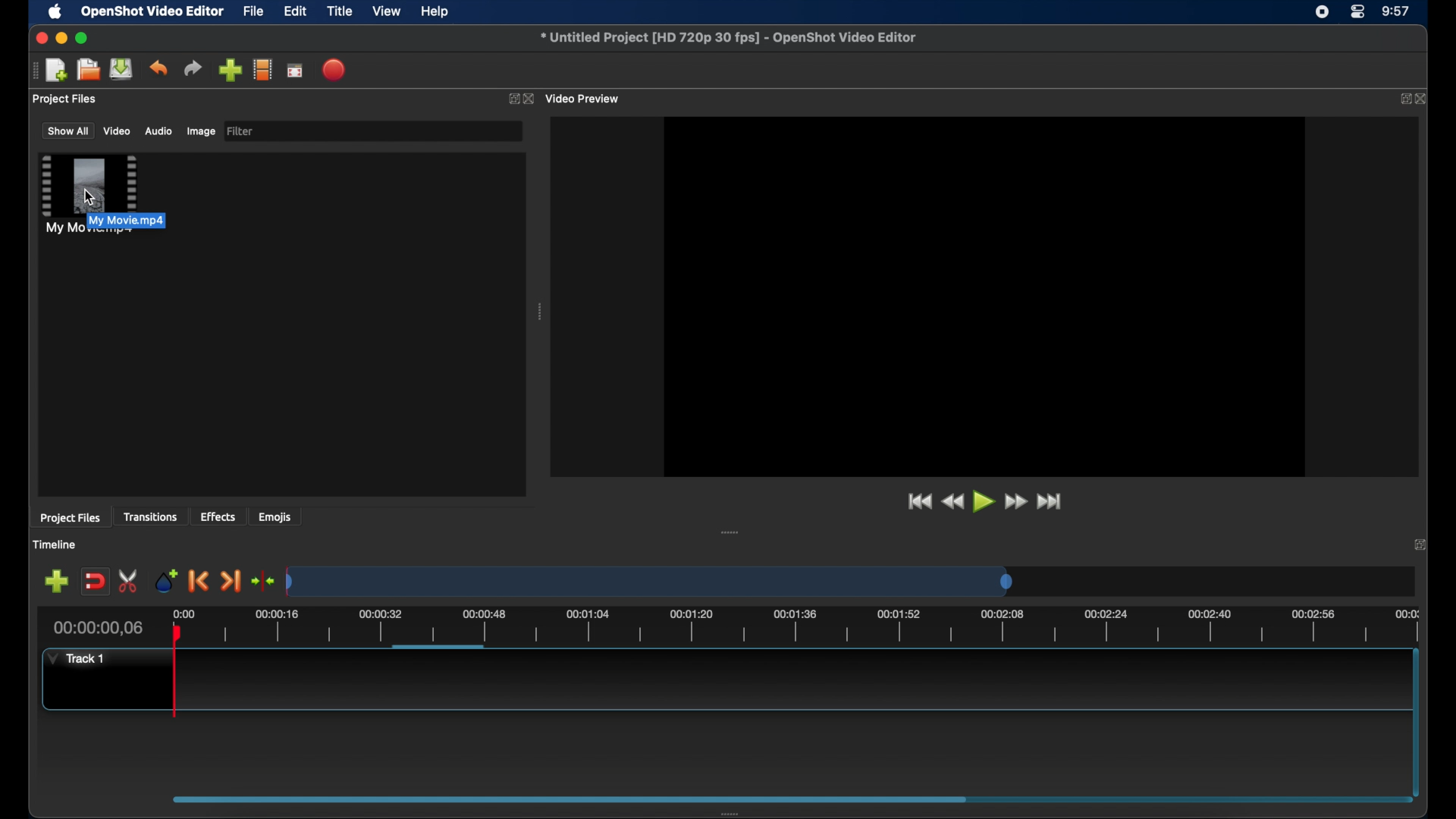 The image size is (1456, 819). What do you see at coordinates (816, 628) in the screenshot?
I see `timeline scale` at bounding box center [816, 628].